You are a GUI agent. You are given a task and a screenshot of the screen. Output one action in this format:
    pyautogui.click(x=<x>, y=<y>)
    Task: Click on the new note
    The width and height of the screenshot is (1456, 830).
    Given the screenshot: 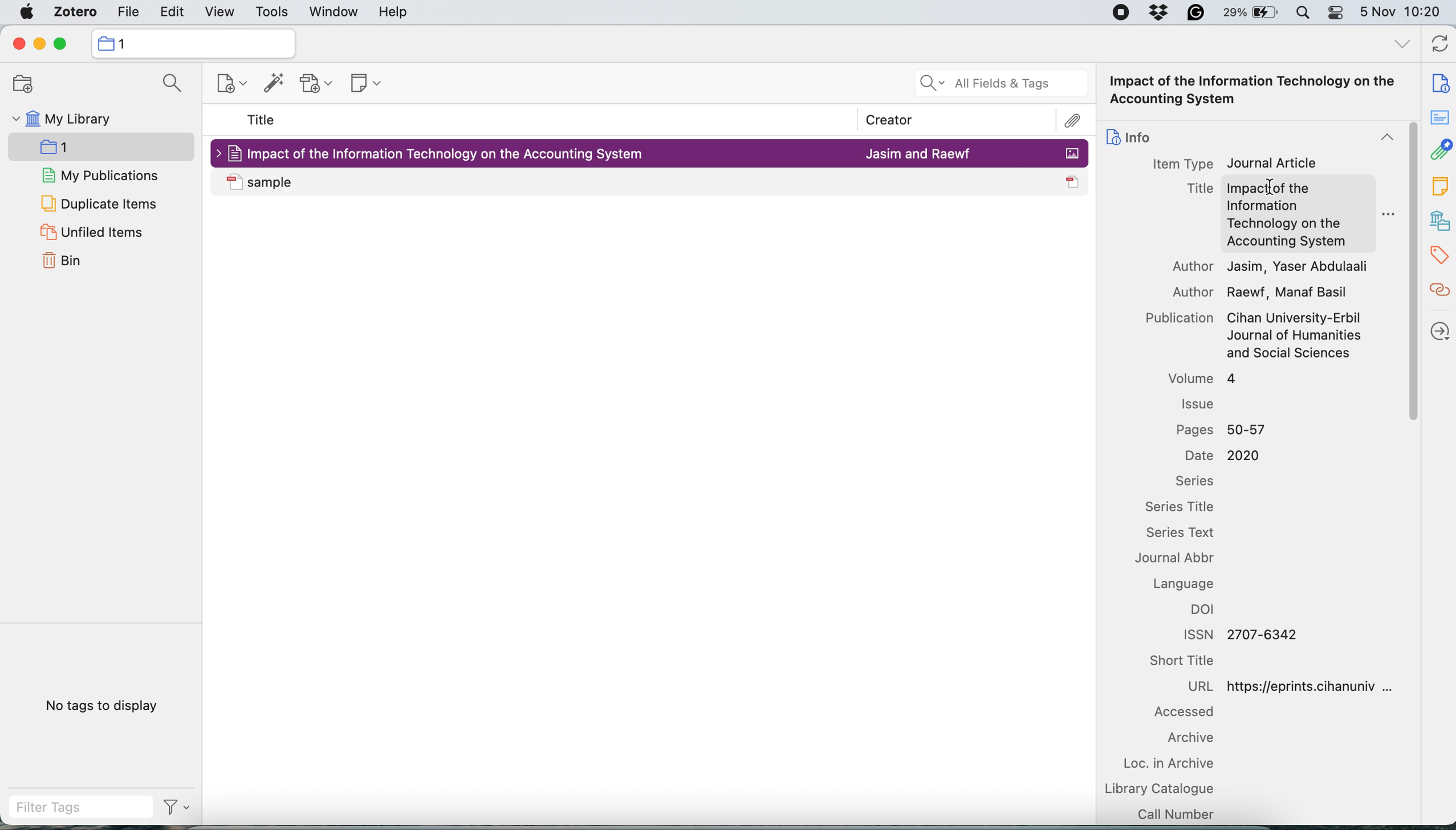 What is the action you would take?
    pyautogui.click(x=364, y=84)
    